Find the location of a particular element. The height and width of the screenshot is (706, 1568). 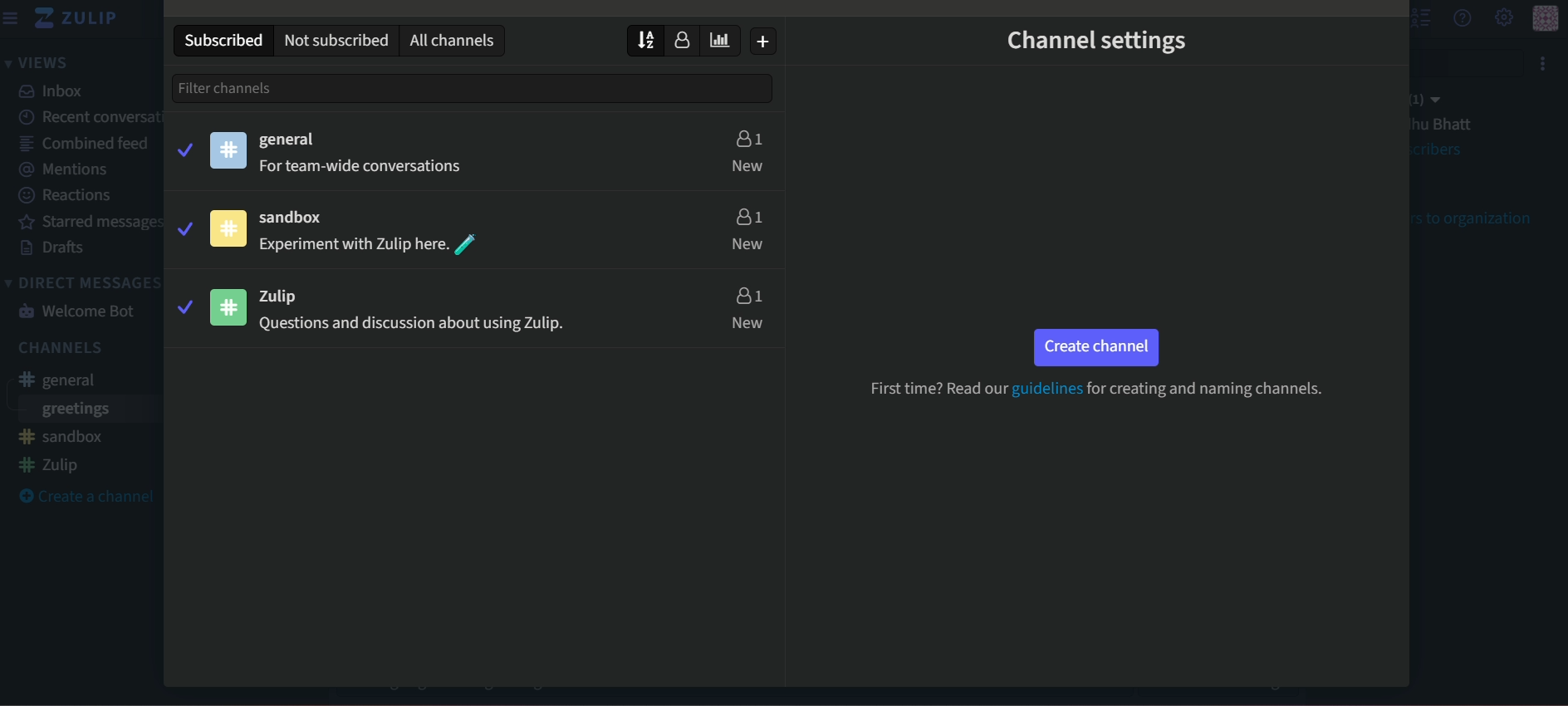

zulip is located at coordinates (50, 465).